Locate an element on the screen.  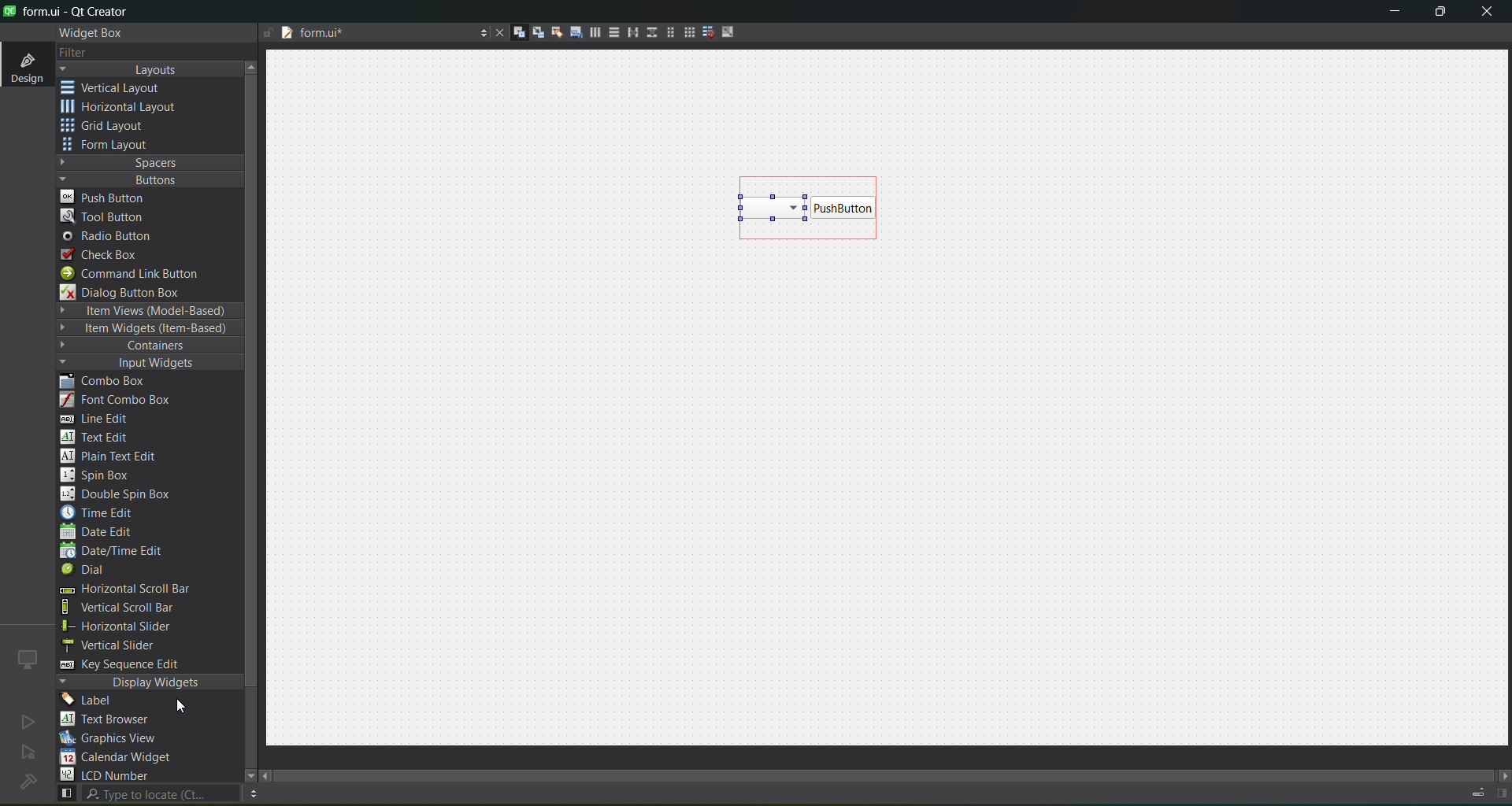
horizontal splitter is located at coordinates (628, 33).